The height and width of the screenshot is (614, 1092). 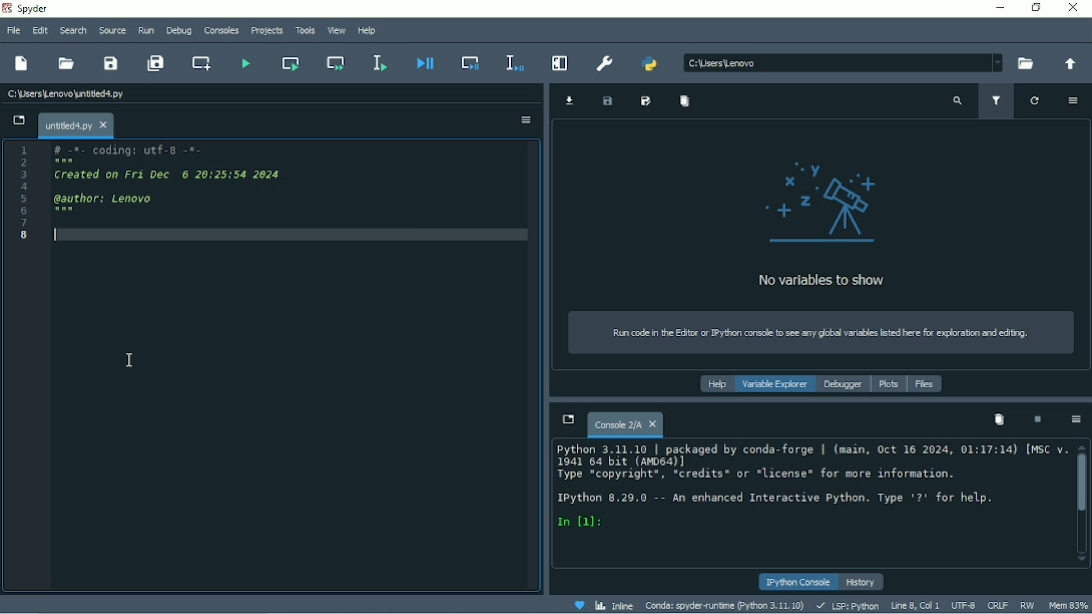 What do you see at coordinates (1071, 100) in the screenshot?
I see `Options` at bounding box center [1071, 100].